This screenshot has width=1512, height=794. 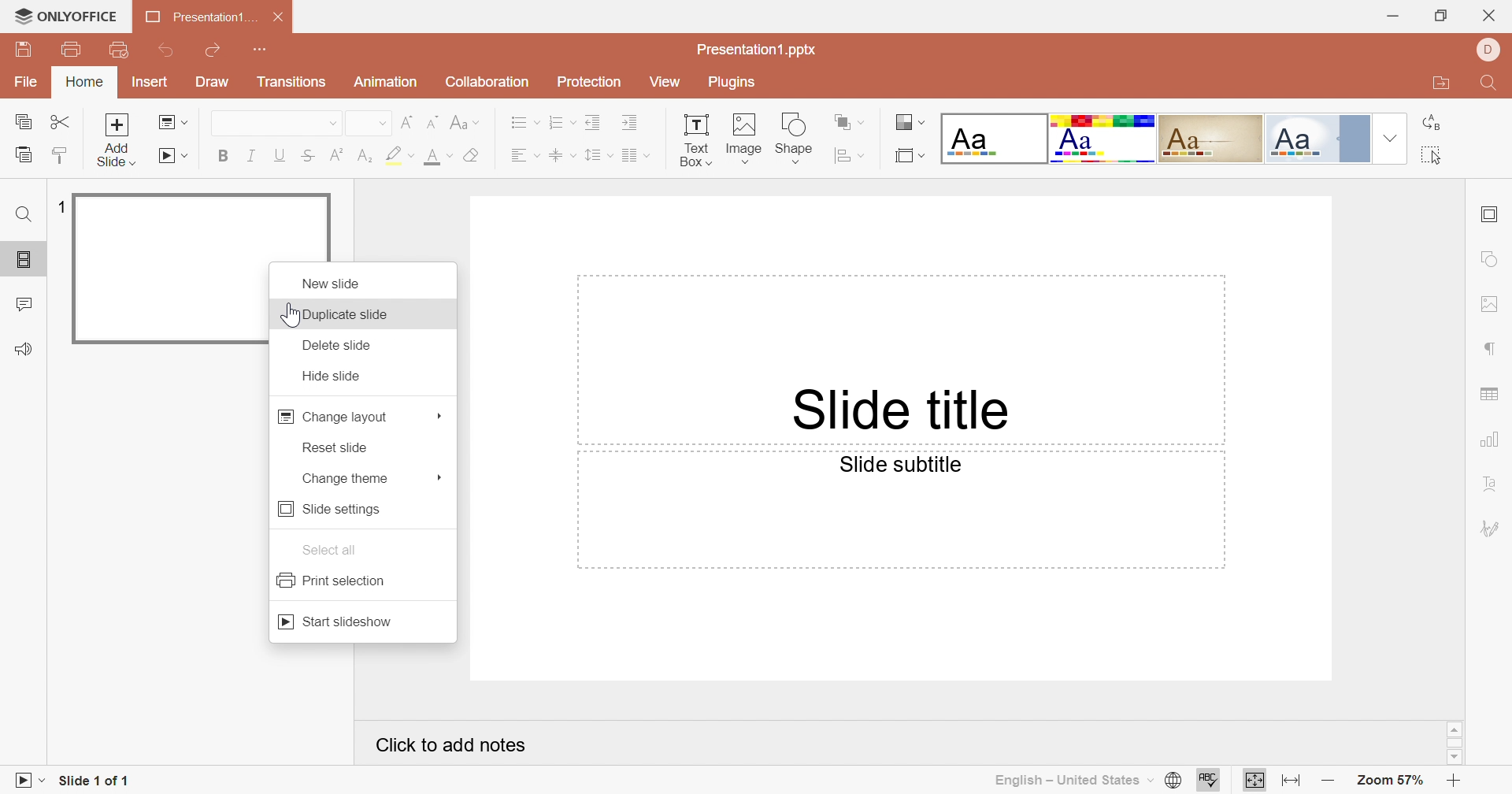 I want to click on Drop Down, so click(x=187, y=122).